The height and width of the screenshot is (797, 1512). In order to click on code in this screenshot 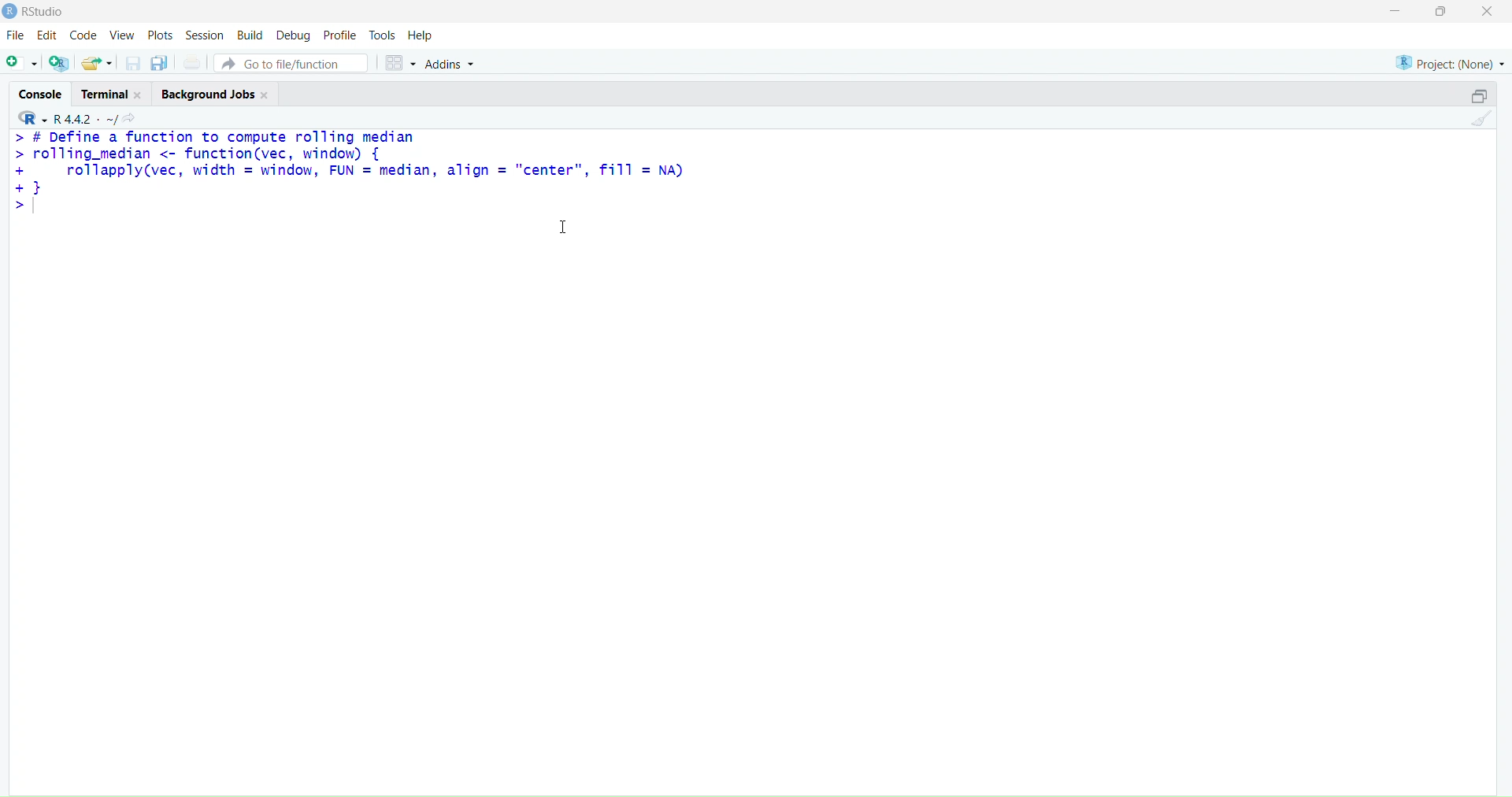, I will do `click(84, 35)`.